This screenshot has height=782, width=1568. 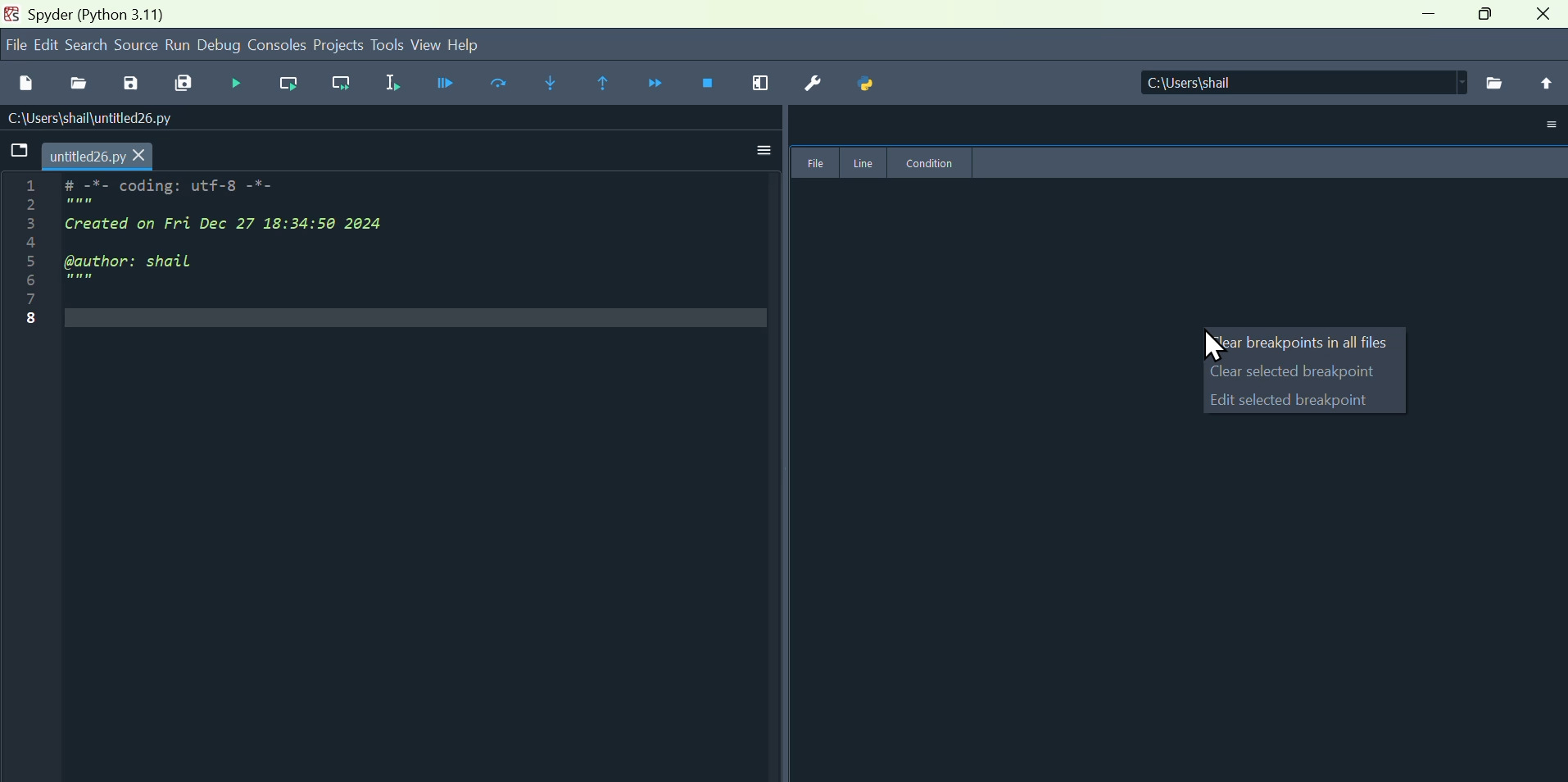 I want to click on Clear selected breakpoints, so click(x=1303, y=371).